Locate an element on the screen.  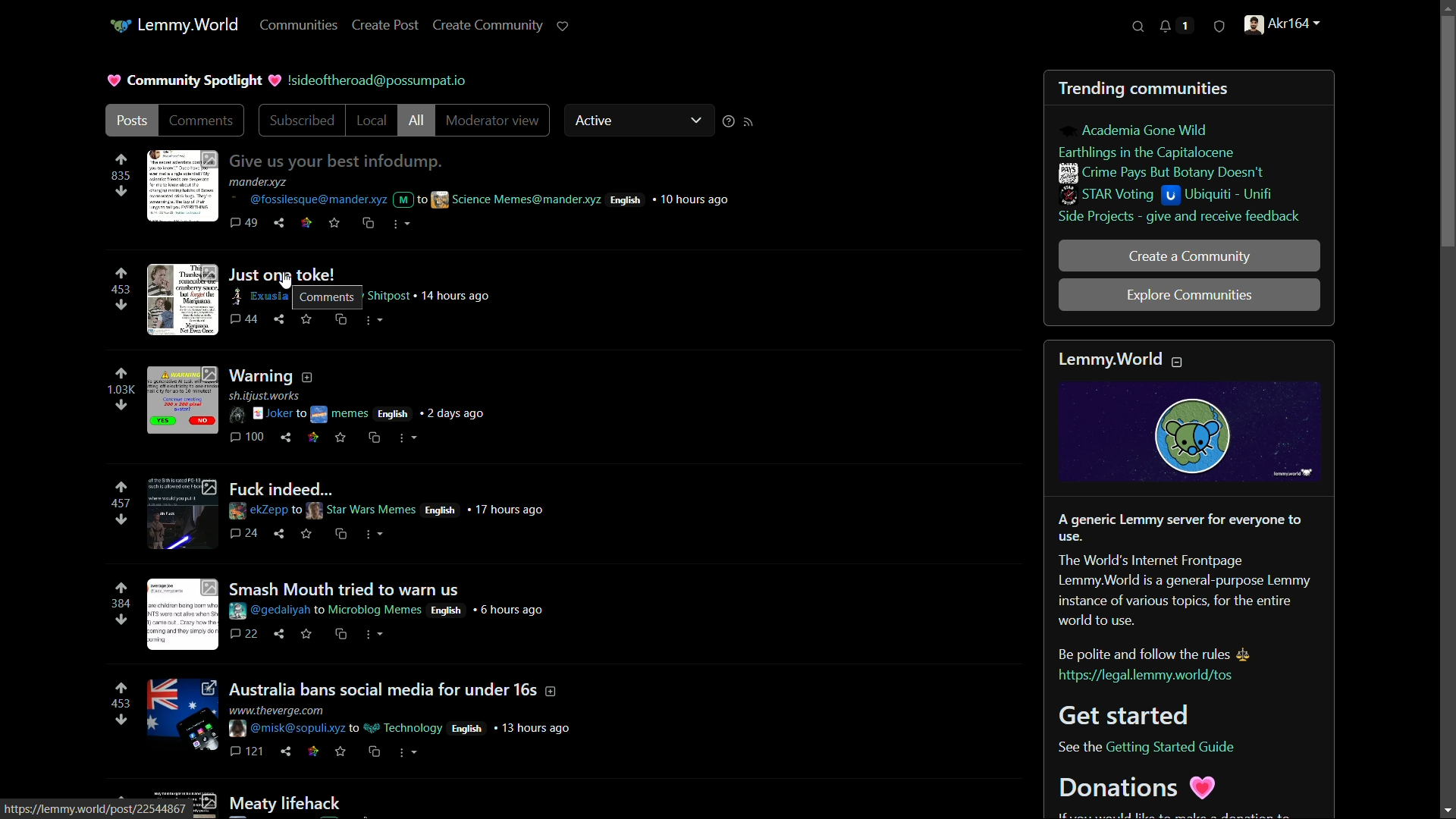
10 hours ago is located at coordinates (698, 200).